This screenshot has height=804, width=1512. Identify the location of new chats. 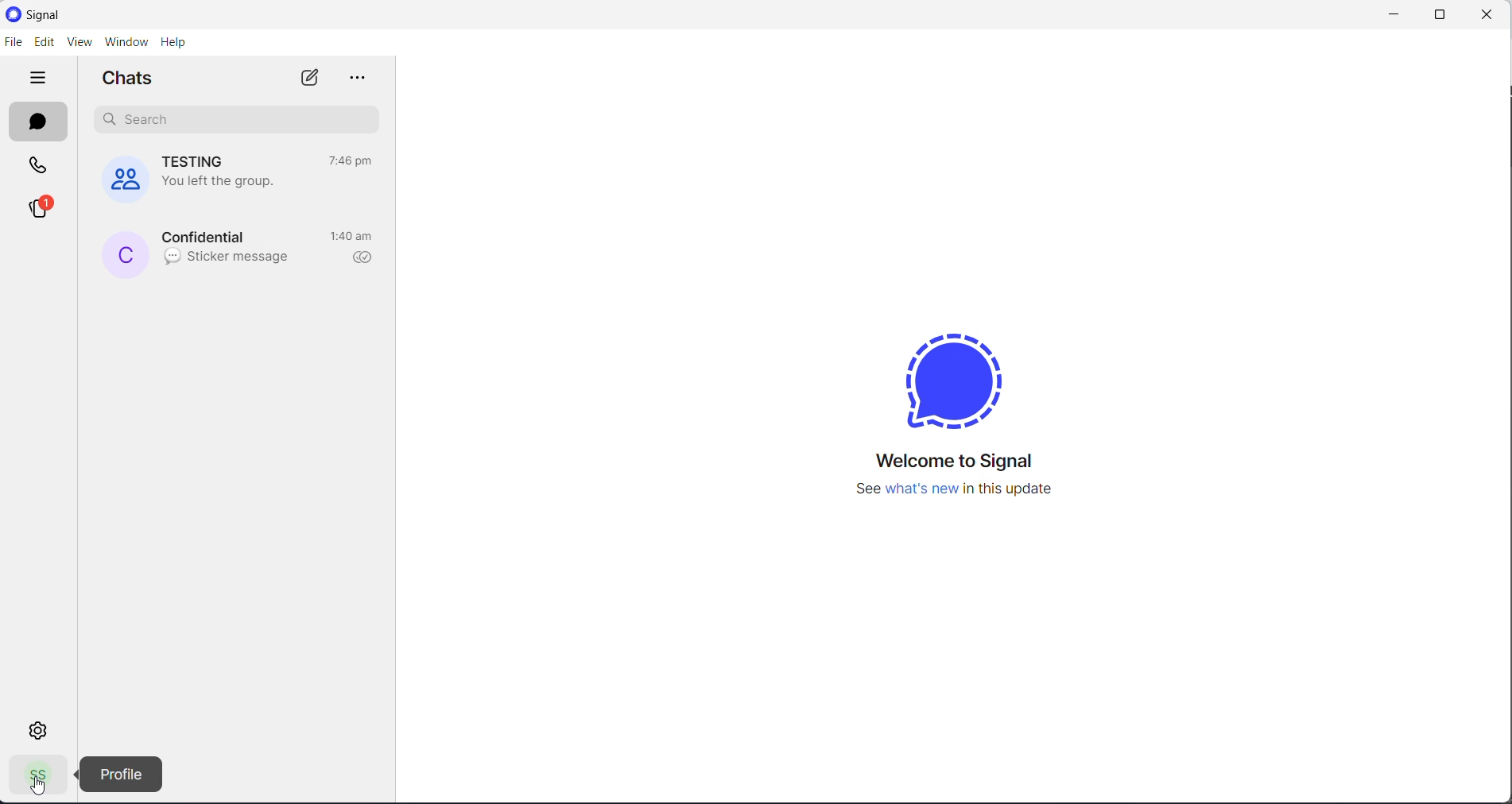
(308, 79).